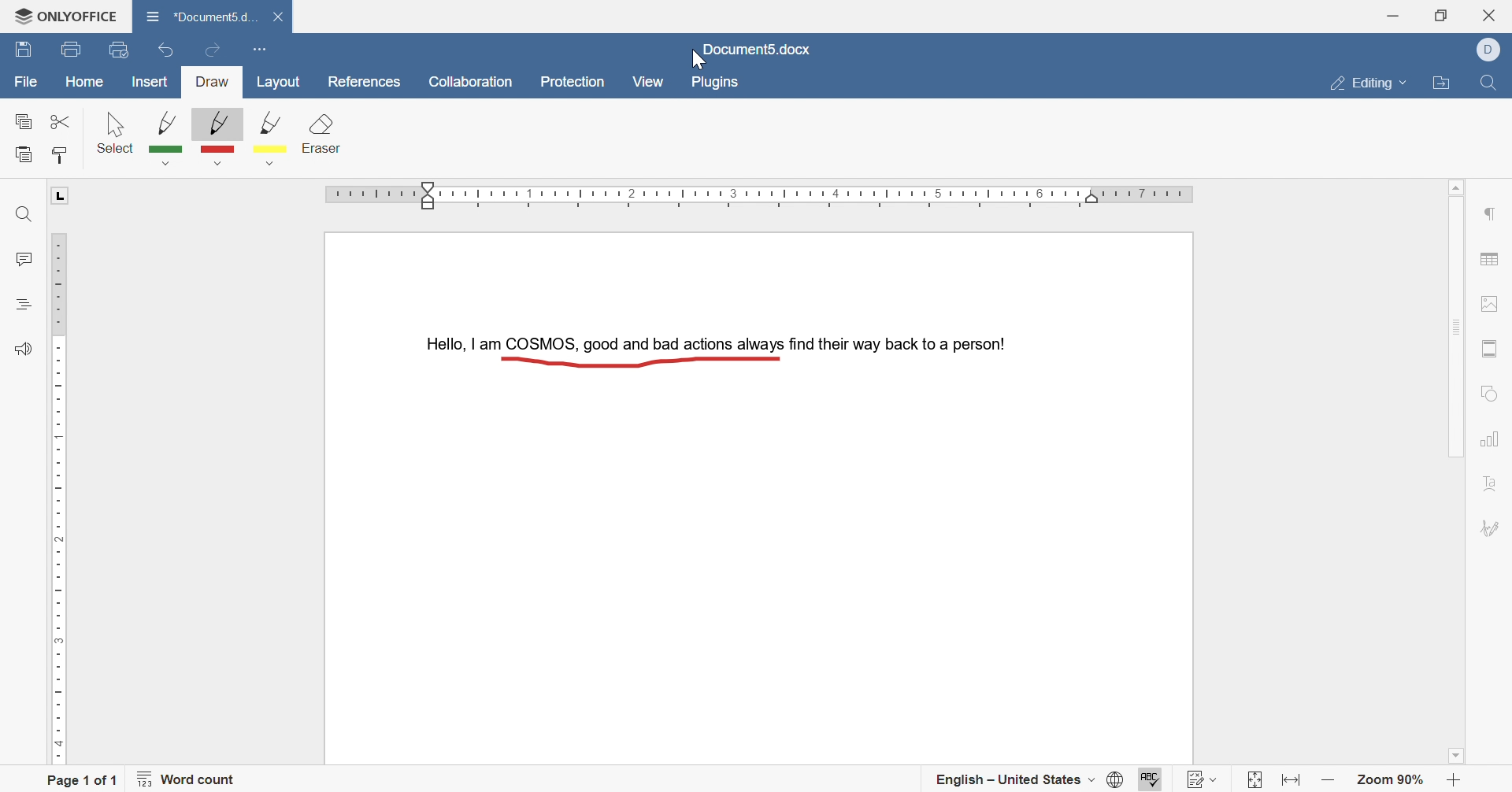 This screenshot has height=792, width=1512. I want to click on layout, so click(282, 83).